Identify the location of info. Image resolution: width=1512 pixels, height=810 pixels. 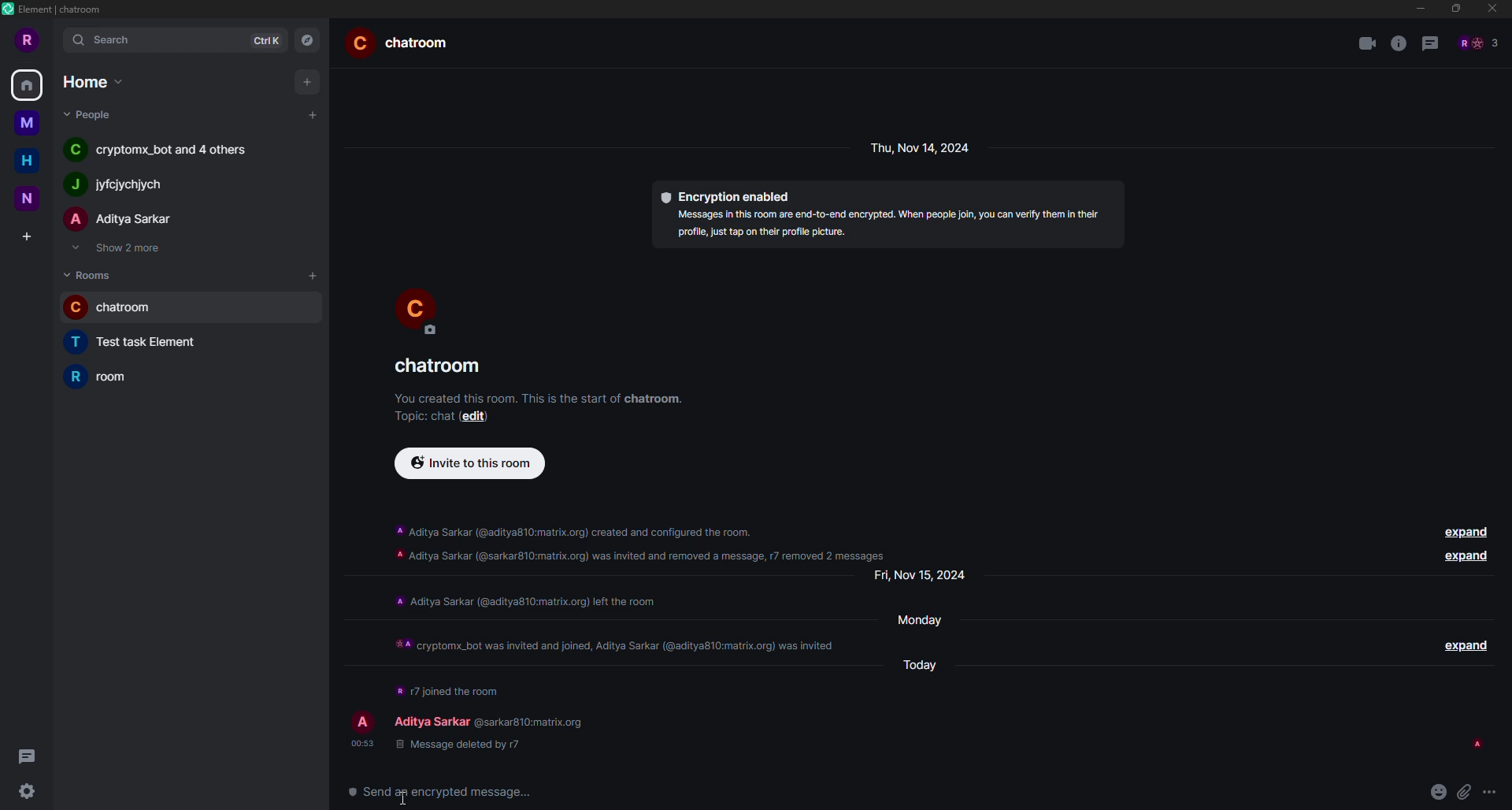
(888, 223).